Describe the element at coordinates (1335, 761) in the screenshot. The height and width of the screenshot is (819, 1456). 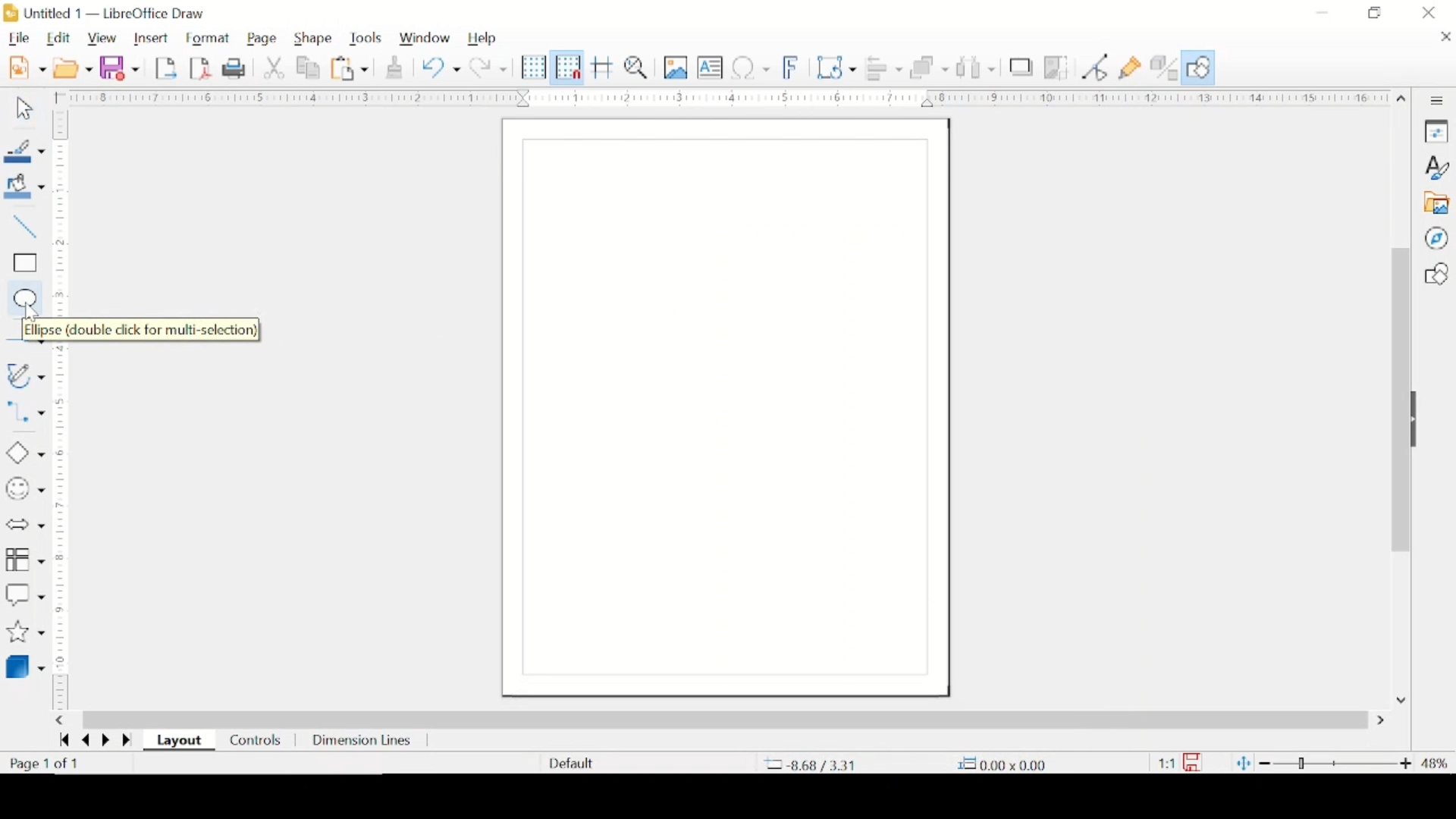
I see `zoom slider` at that location.